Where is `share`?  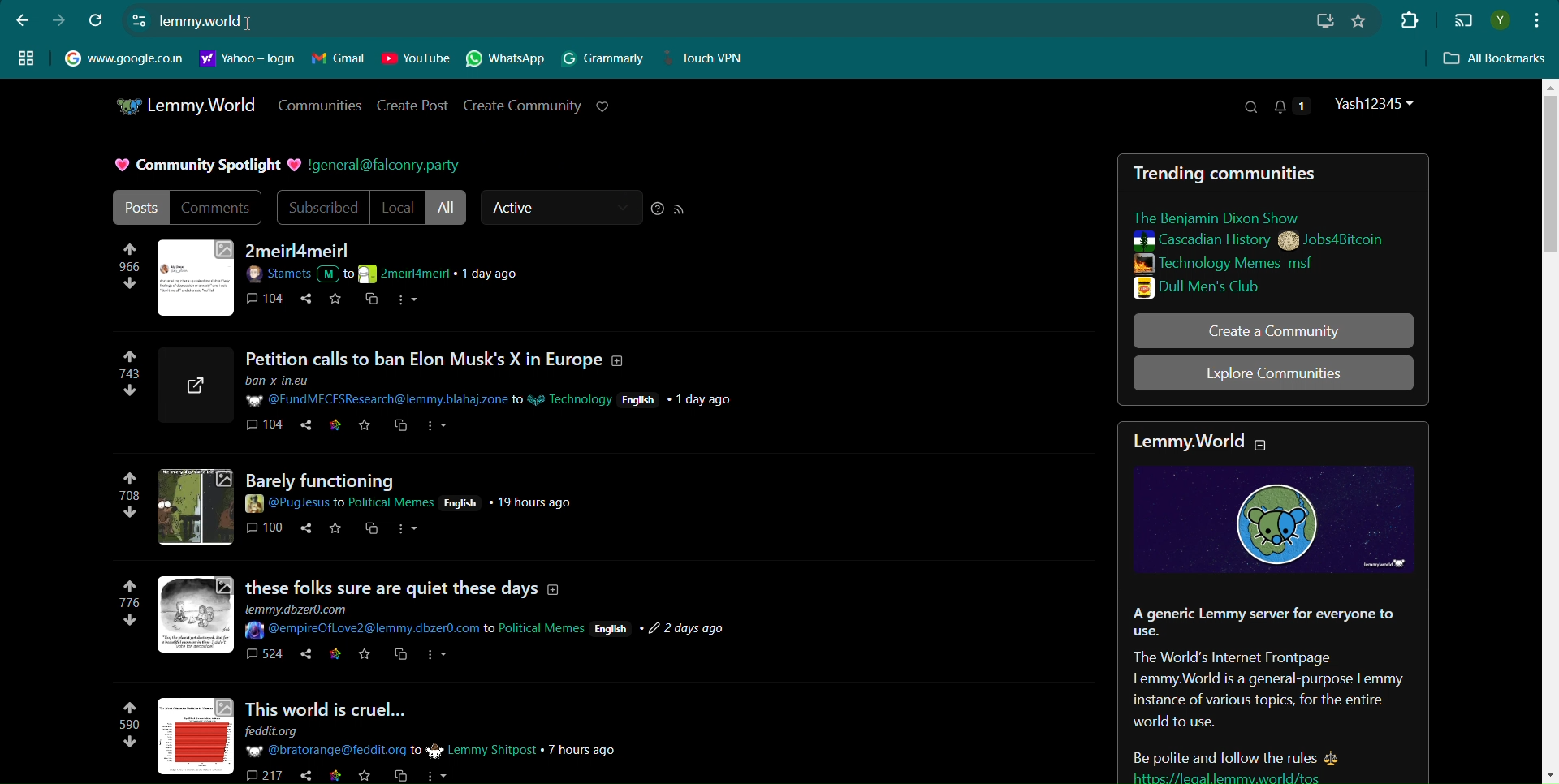 share is located at coordinates (309, 428).